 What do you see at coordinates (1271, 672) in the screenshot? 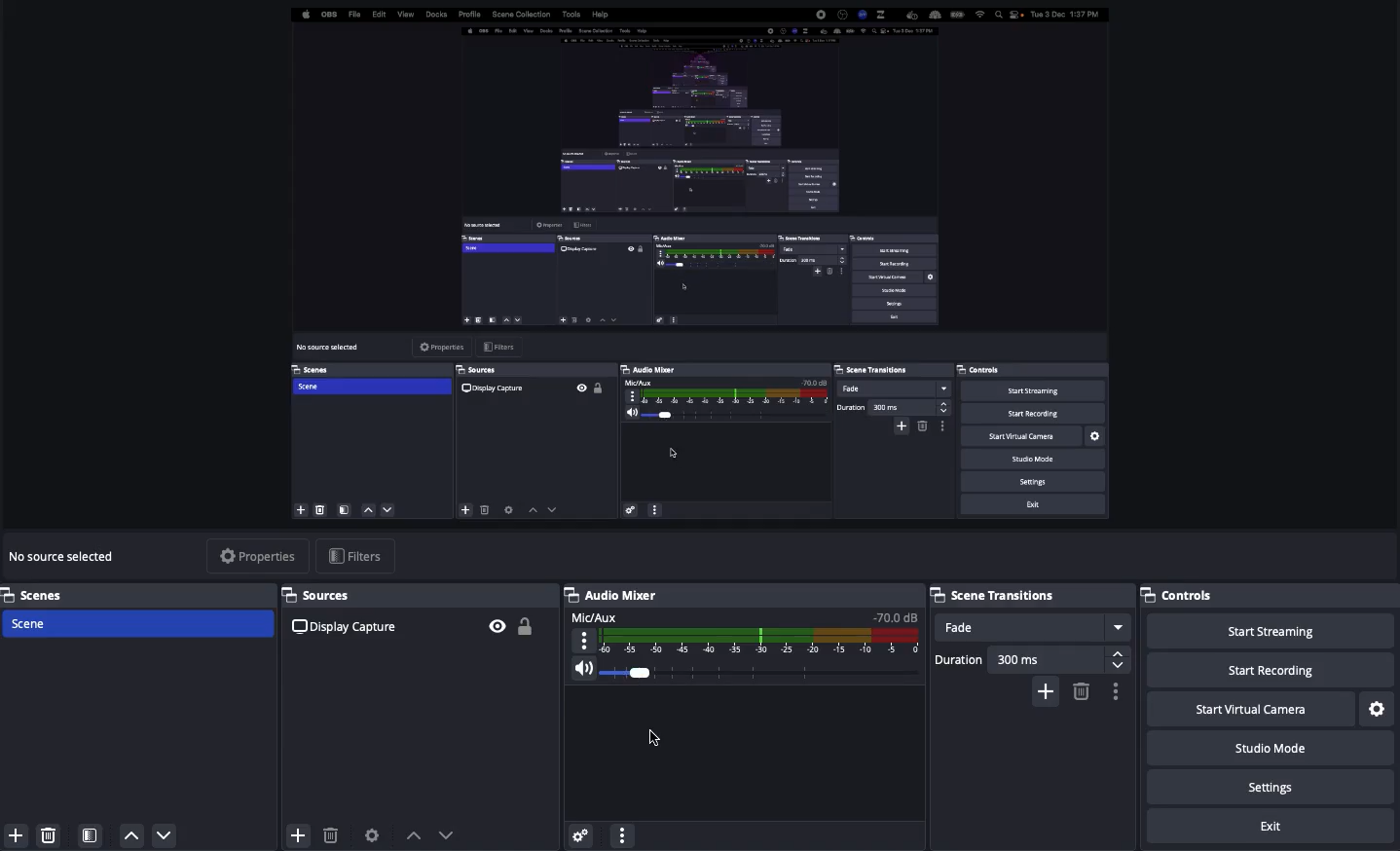
I see `Start recording` at bounding box center [1271, 672].